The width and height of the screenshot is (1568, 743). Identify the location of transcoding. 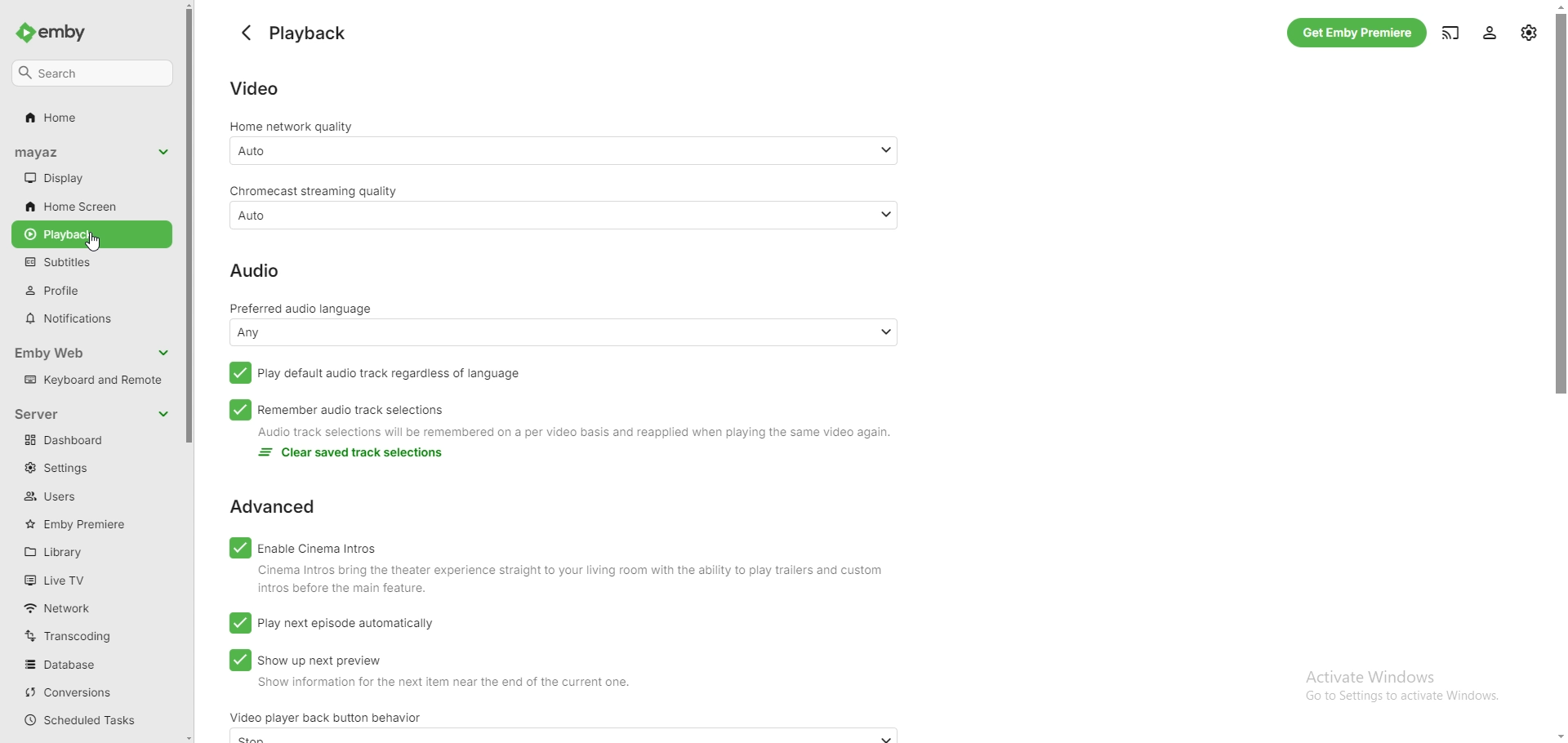
(91, 635).